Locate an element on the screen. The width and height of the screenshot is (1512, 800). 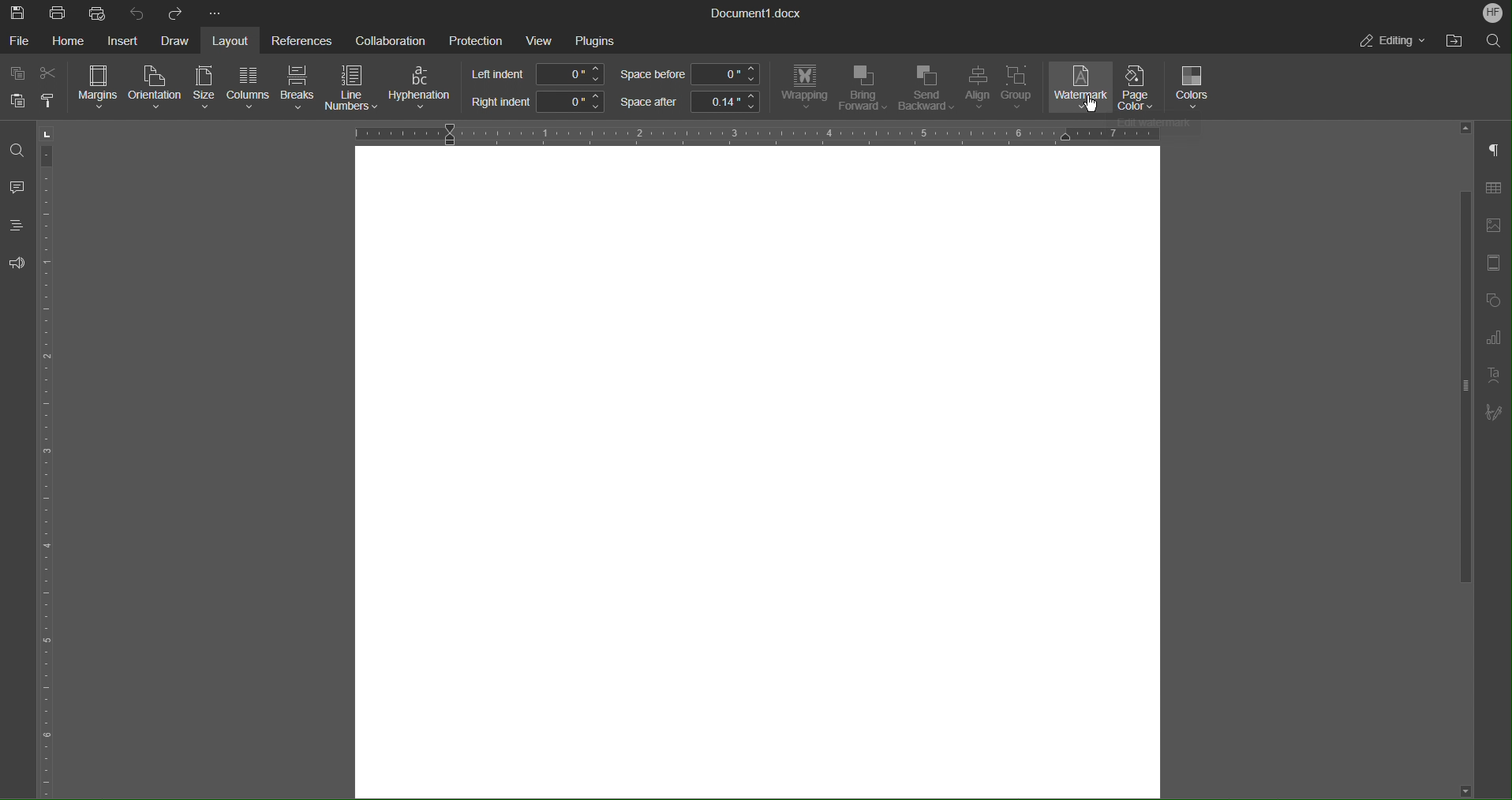
Margins is located at coordinates (99, 88).